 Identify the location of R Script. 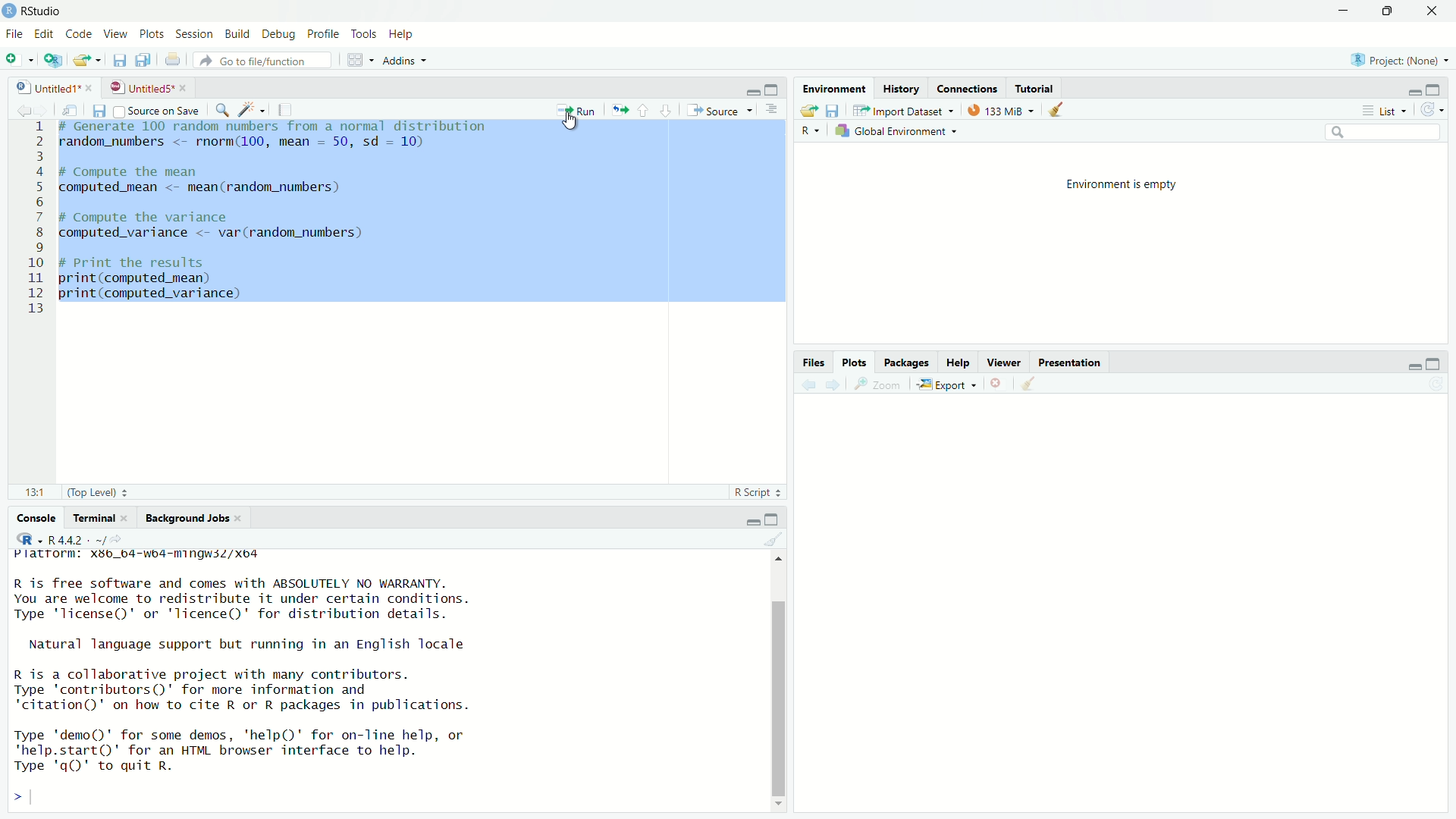
(755, 492).